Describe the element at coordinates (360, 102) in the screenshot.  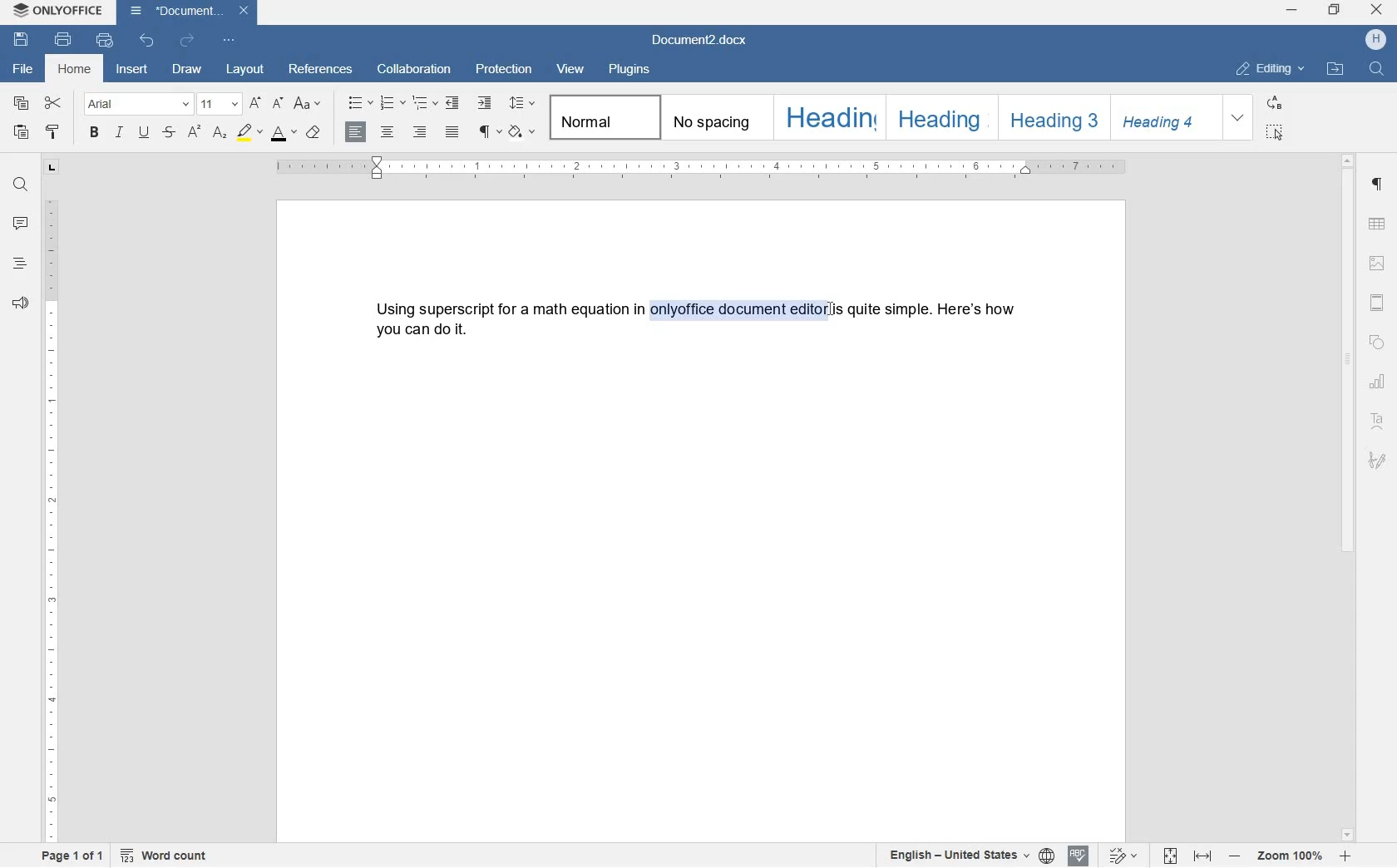
I see `bullets` at that location.